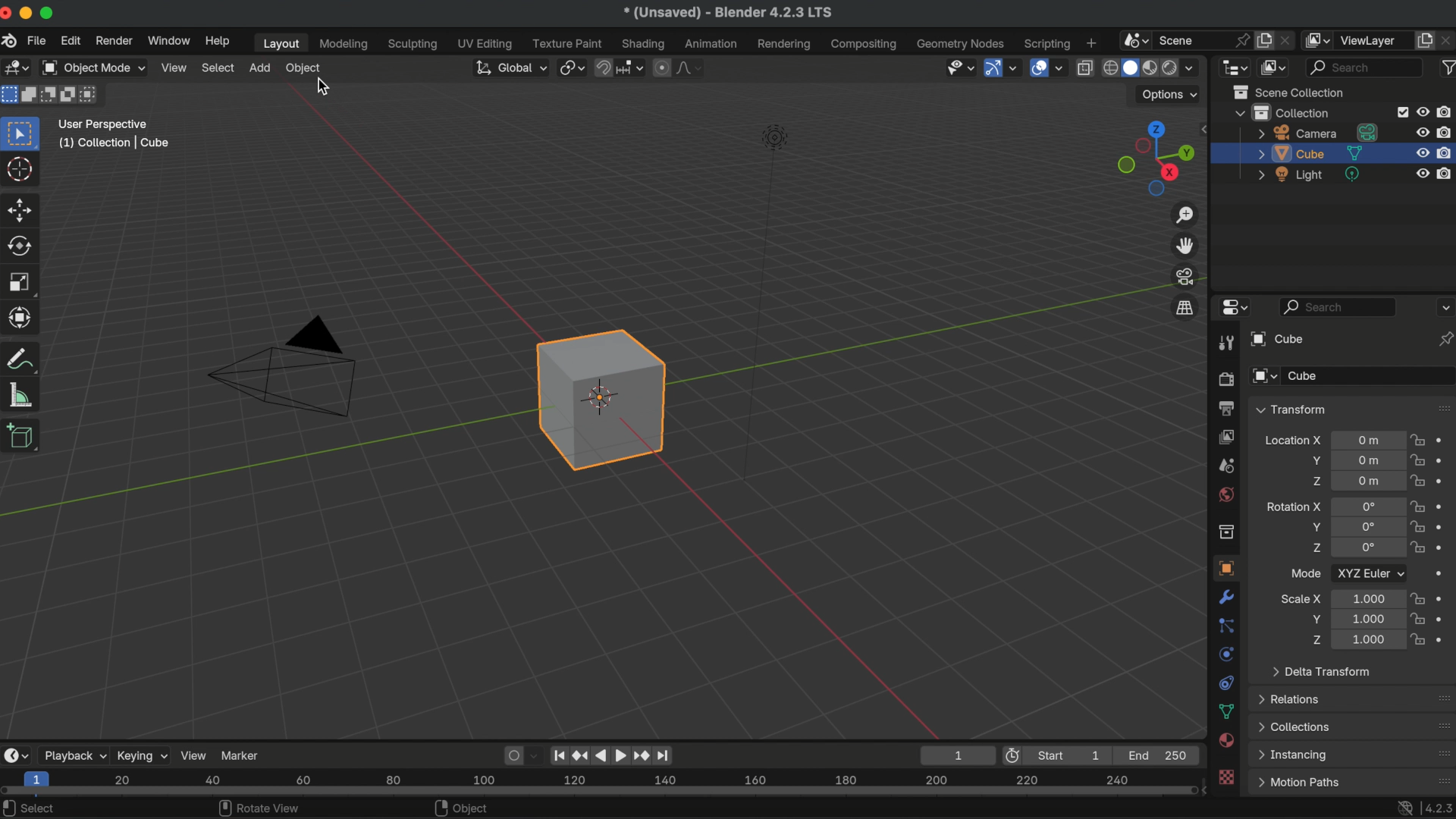 The image size is (1456, 819). What do you see at coordinates (1446, 66) in the screenshot?
I see `filter icon` at bounding box center [1446, 66].